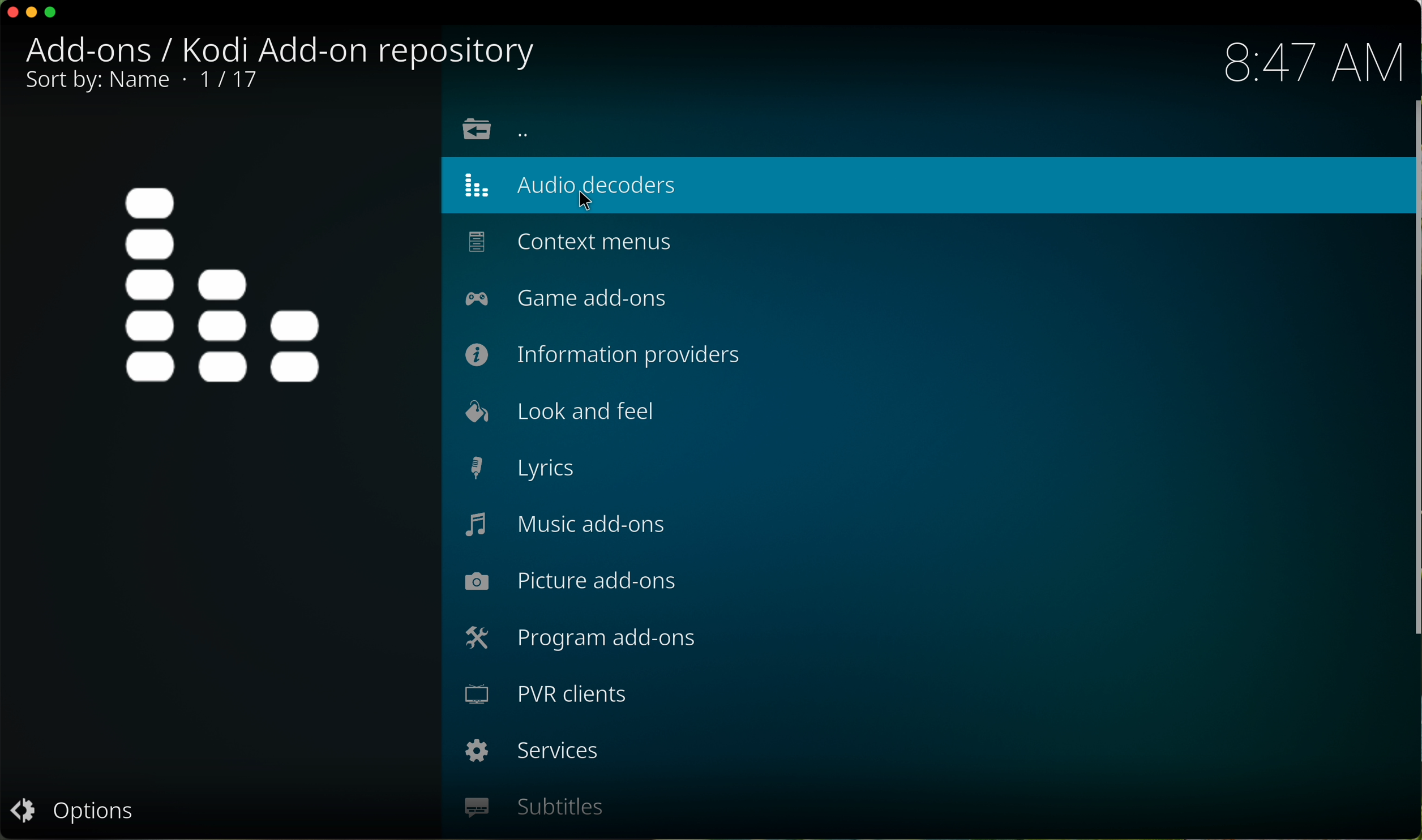  I want to click on context menus, so click(571, 244).